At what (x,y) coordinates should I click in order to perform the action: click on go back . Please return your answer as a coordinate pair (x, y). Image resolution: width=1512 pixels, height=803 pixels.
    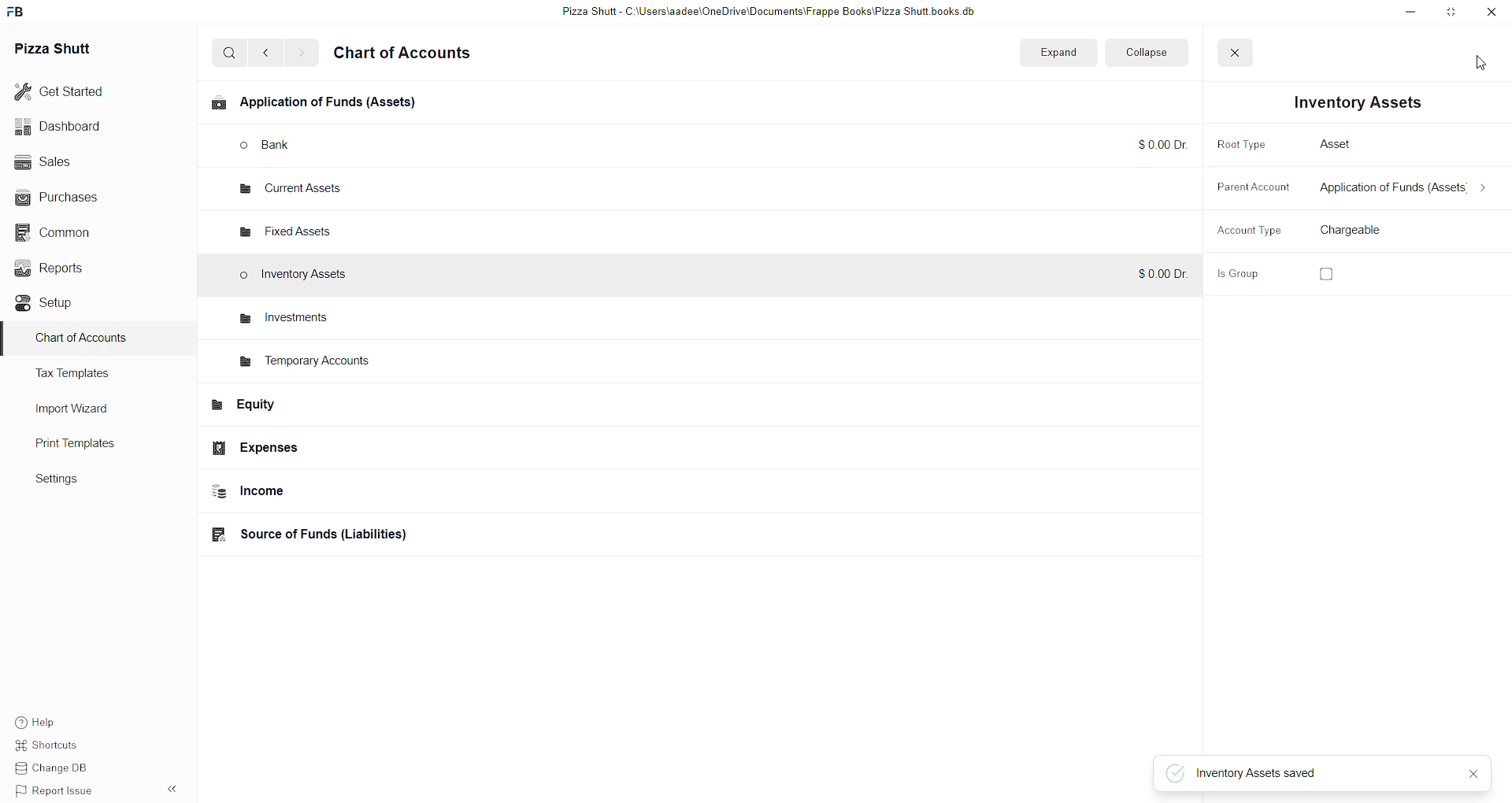
    Looking at the image, I should click on (269, 53).